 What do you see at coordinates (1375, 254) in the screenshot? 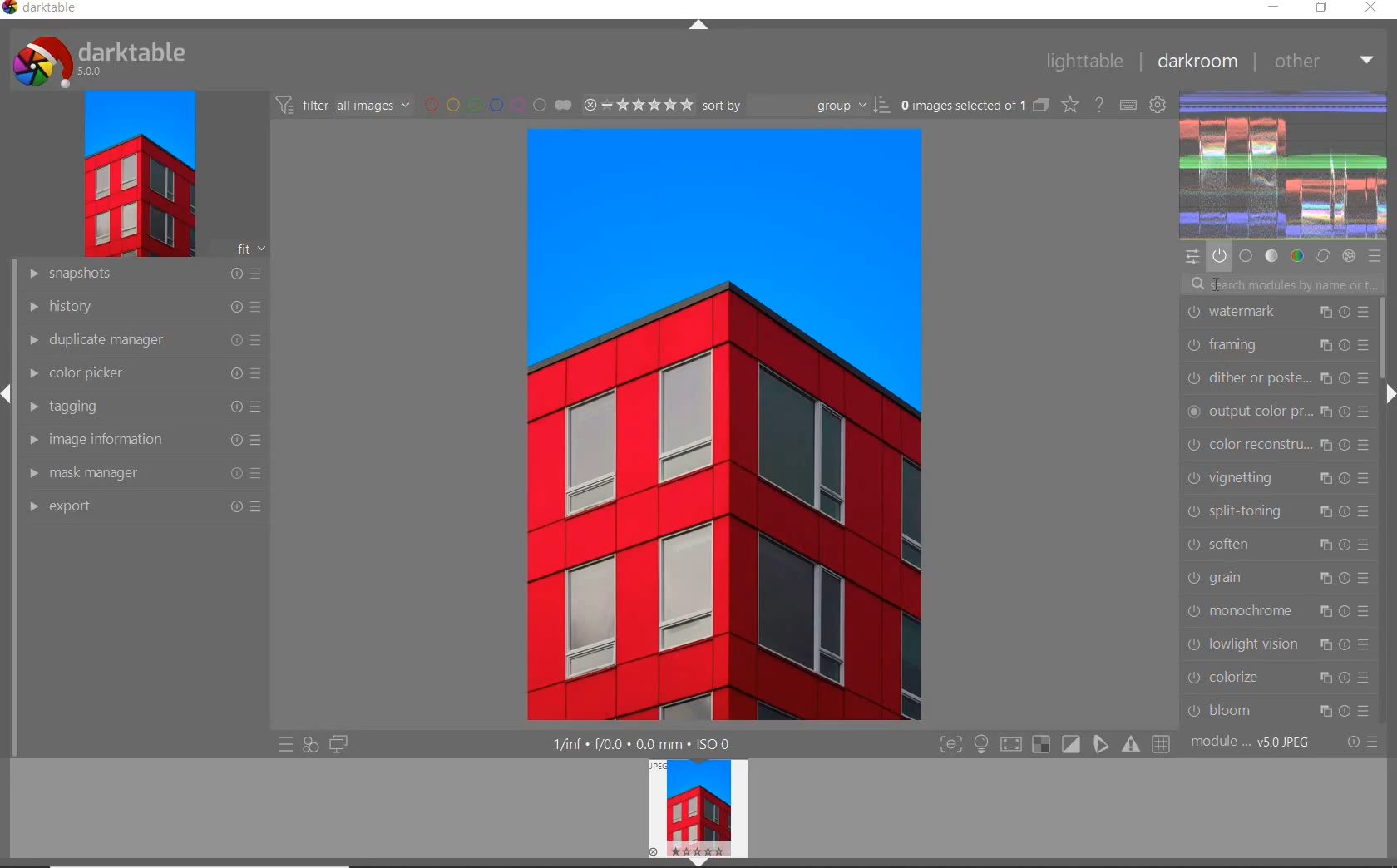
I see `presets` at bounding box center [1375, 254].